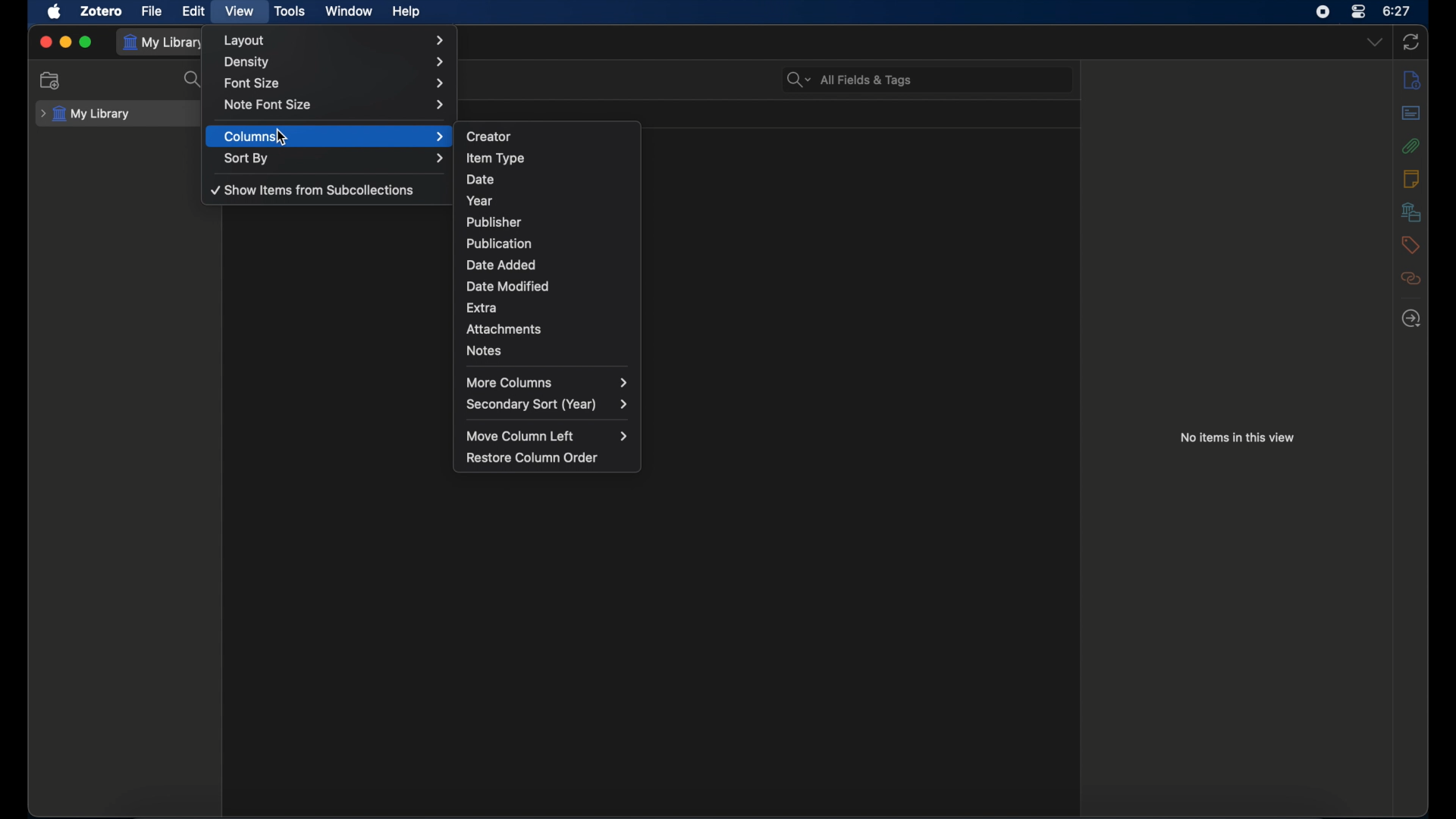 This screenshot has width=1456, height=819. What do you see at coordinates (86, 114) in the screenshot?
I see `my library` at bounding box center [86, 114].